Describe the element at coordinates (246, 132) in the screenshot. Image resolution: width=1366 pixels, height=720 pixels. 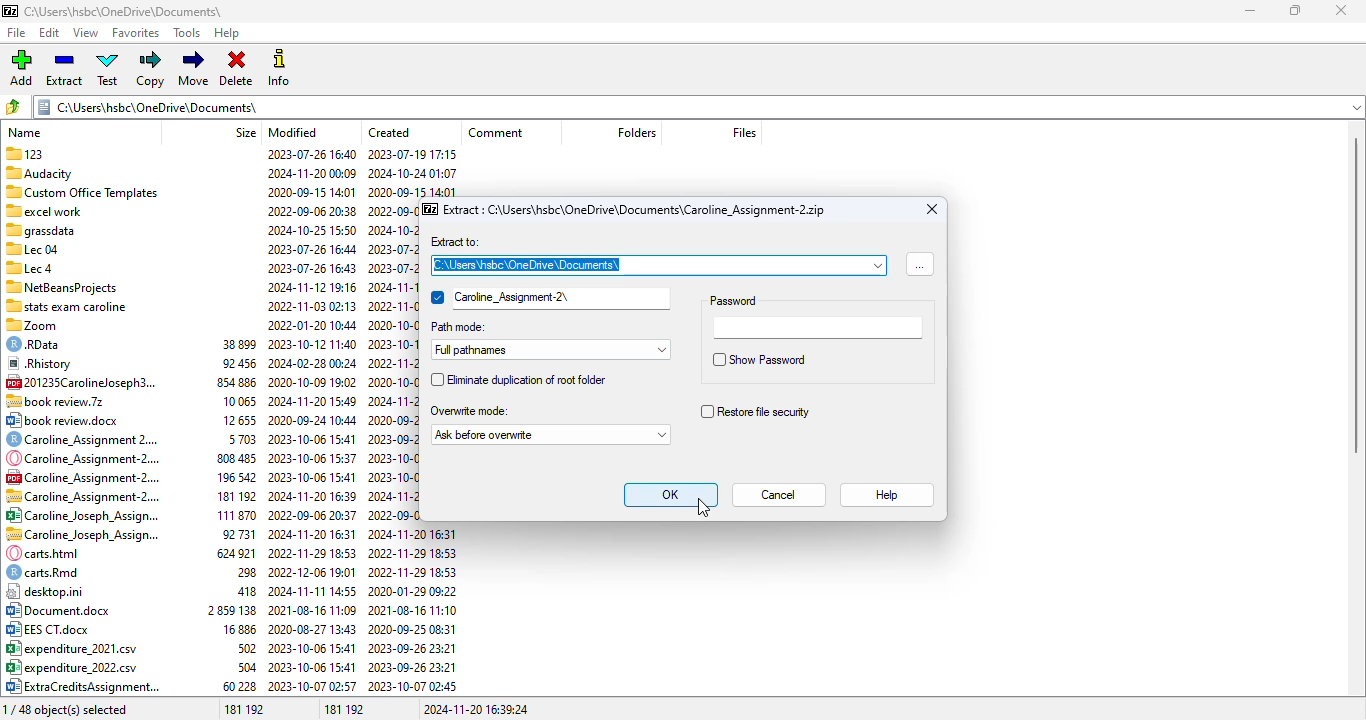
I see `size` at that location.